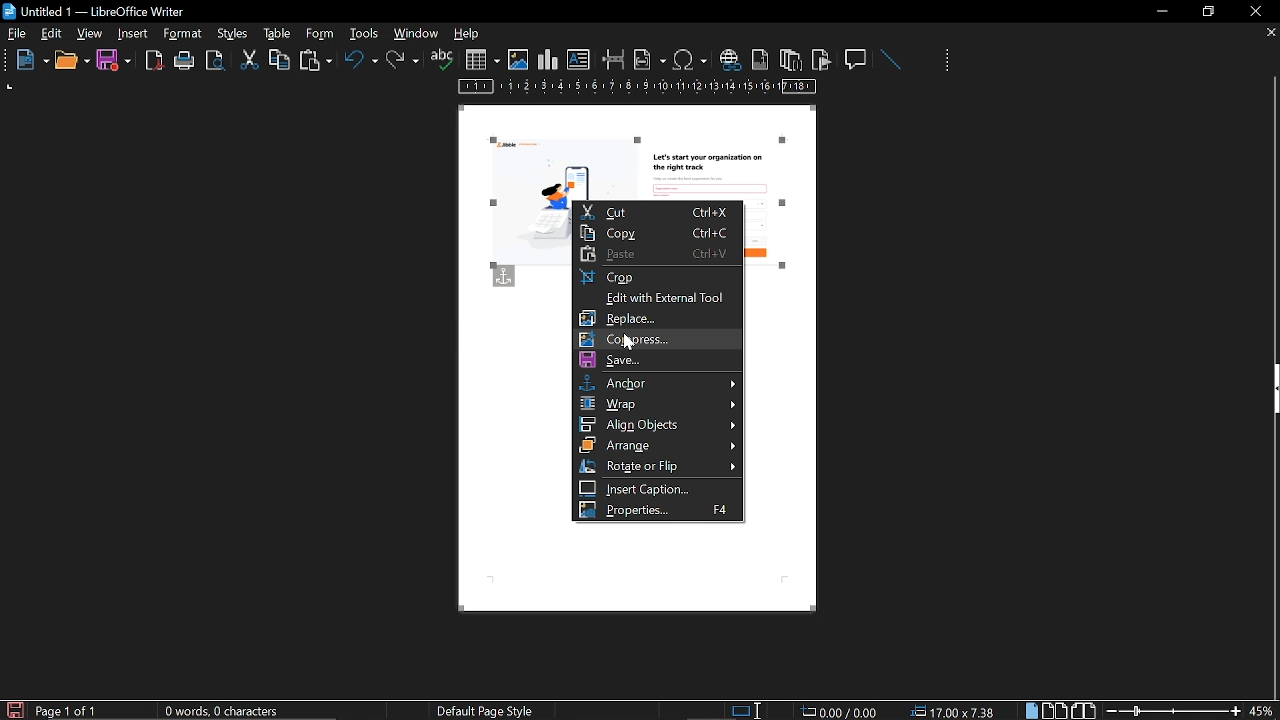 Image resolution: width=1280 pixels, height=720 pixels. Describe the element at coordinates (366, 33) in the screenshot. I see `form` at that location.